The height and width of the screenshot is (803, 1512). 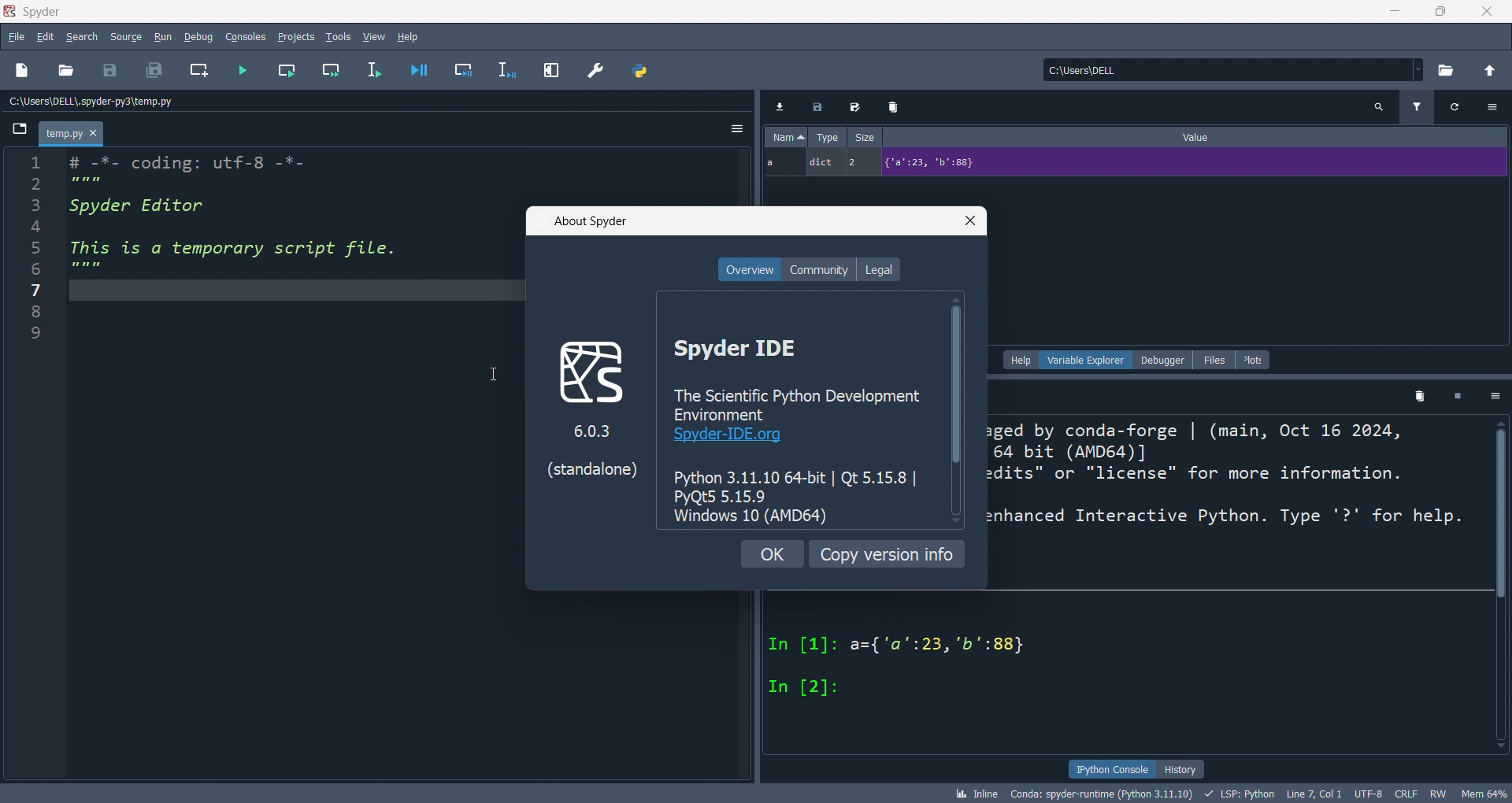 I want to click on debug , so click(x=198, y=36).